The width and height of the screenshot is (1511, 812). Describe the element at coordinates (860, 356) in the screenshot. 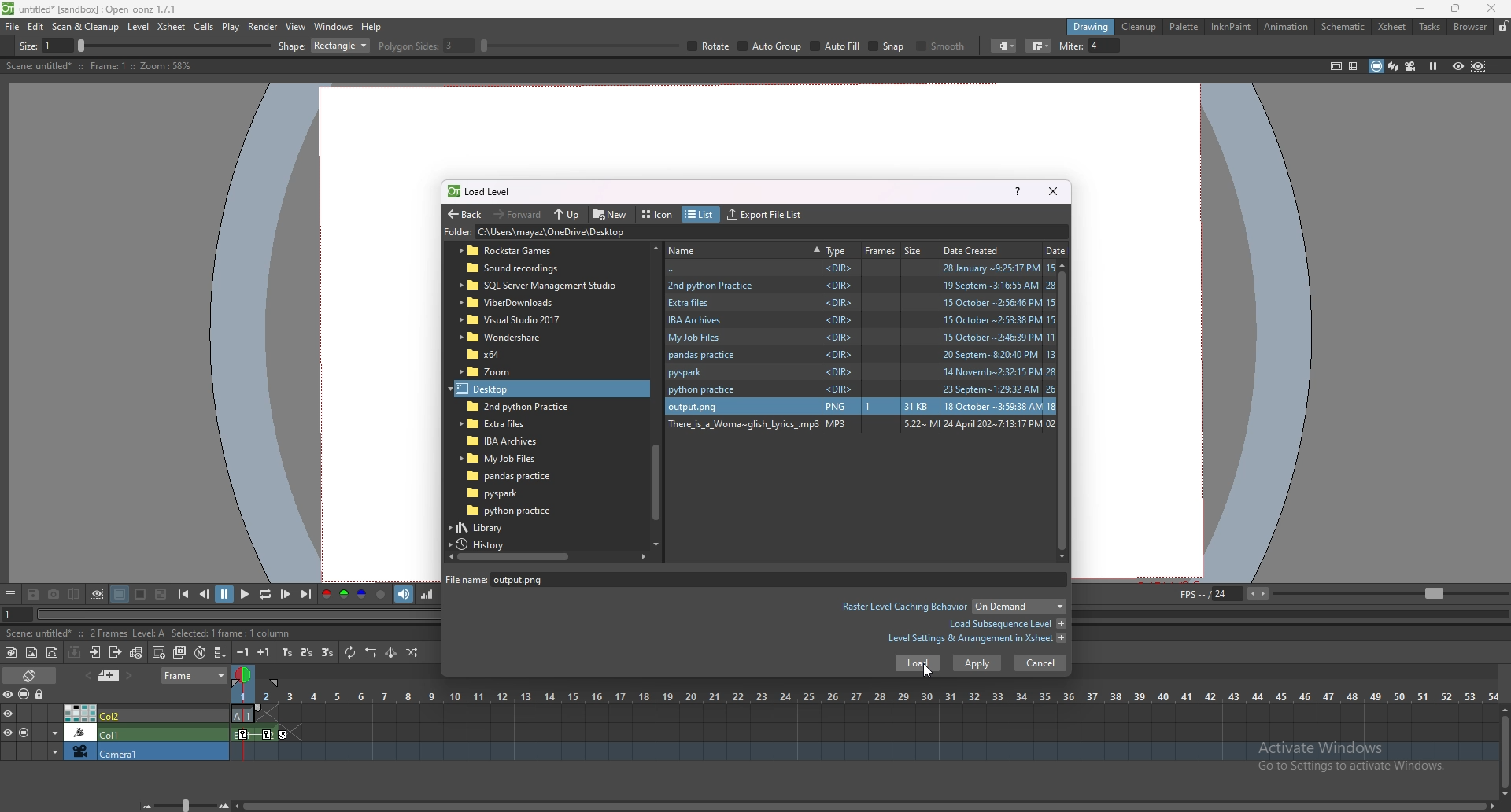

I see `folder` at that location.